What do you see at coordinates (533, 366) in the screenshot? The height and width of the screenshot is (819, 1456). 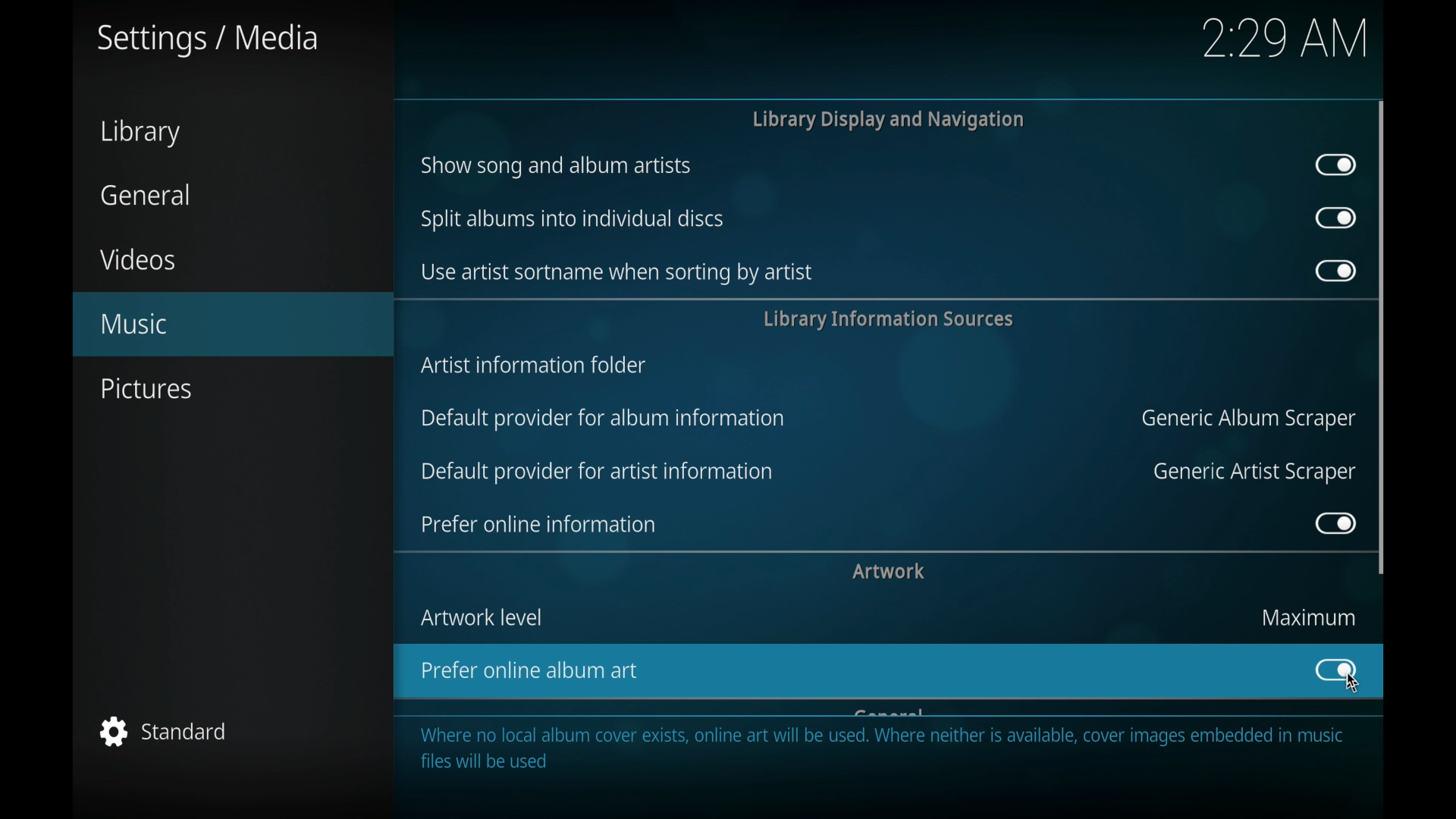 I see `artist information folder` at bounding box center [533, 366].